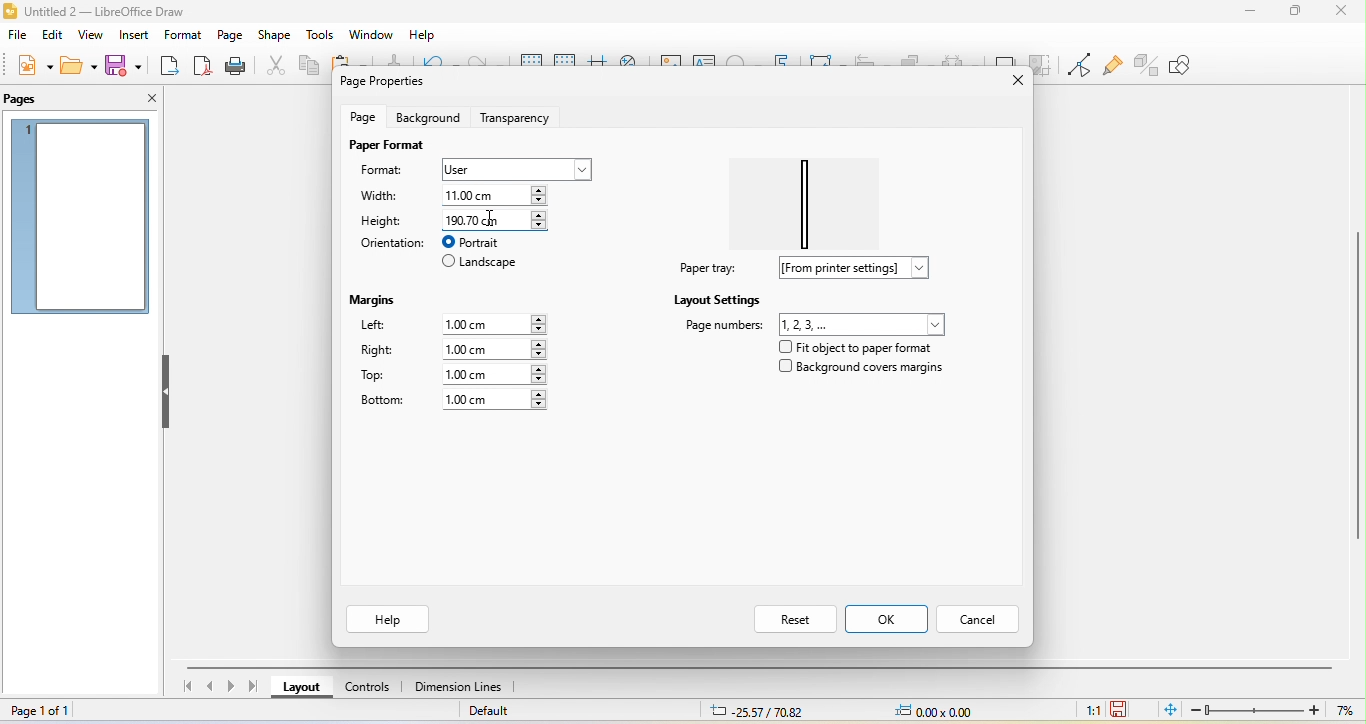 The image size is (1366, 724). Describe the element at coordinates (757, 711) in the screenshot. I see `25.57/70.82` at that location.